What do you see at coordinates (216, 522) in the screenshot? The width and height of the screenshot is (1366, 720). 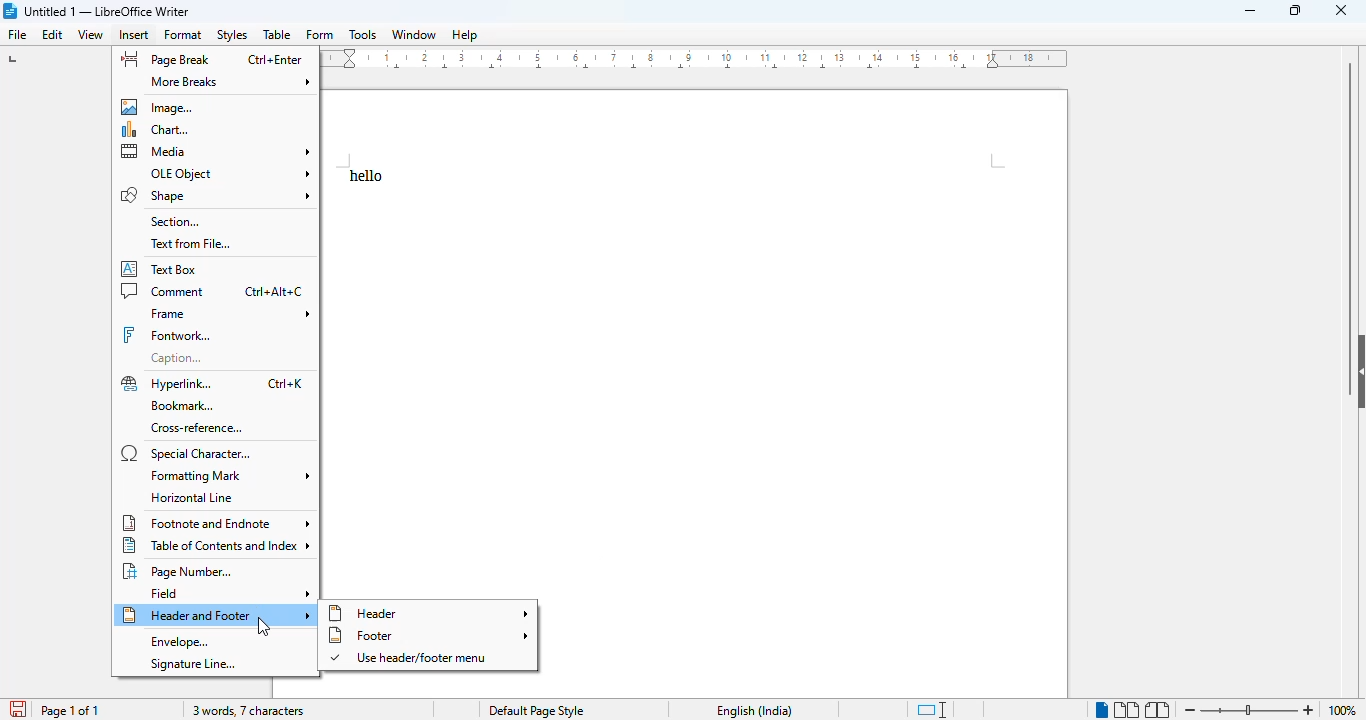 I see `footnote and endnote` at bounding box center [216, 522].